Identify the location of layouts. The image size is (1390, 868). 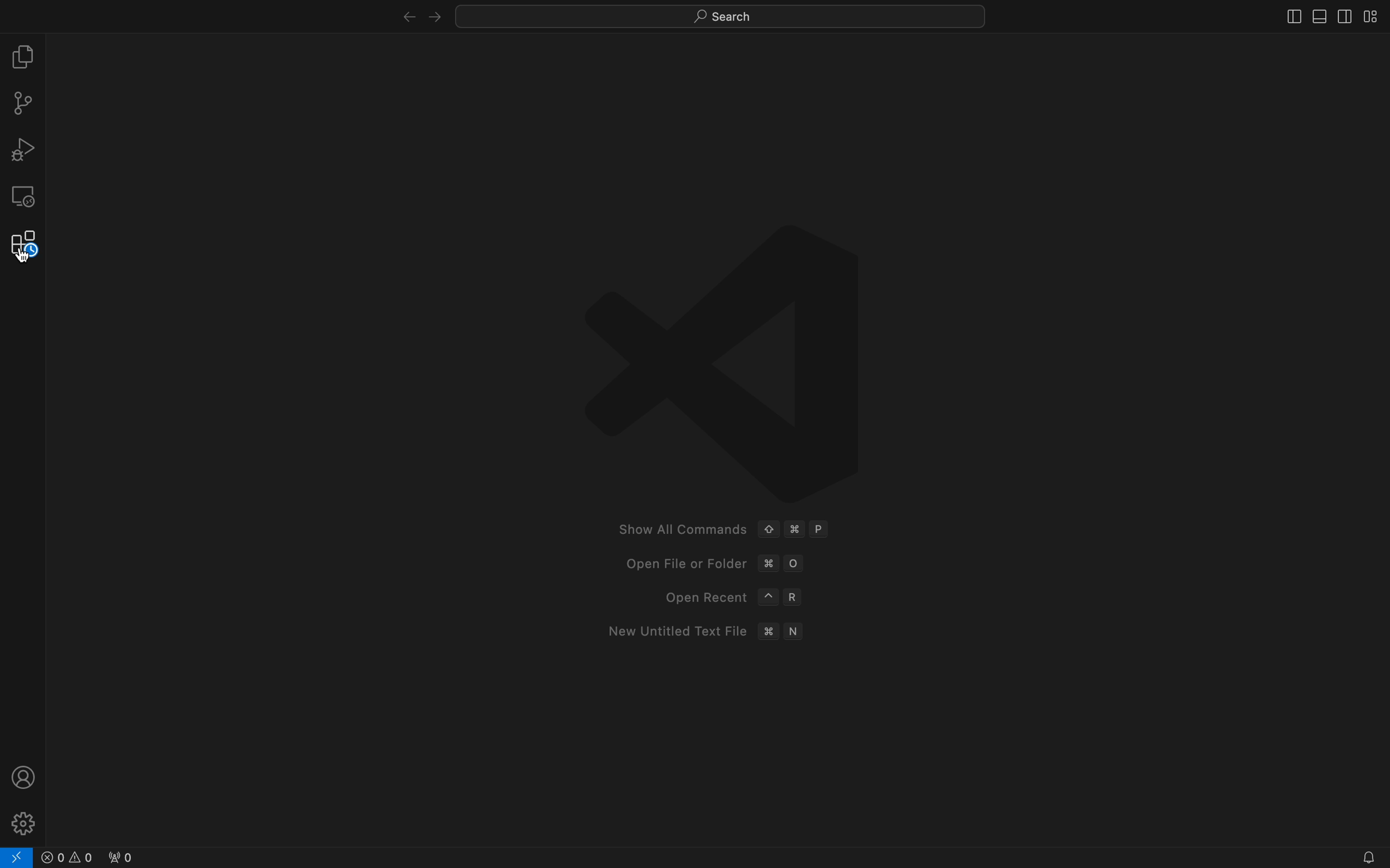
(1372, 15).